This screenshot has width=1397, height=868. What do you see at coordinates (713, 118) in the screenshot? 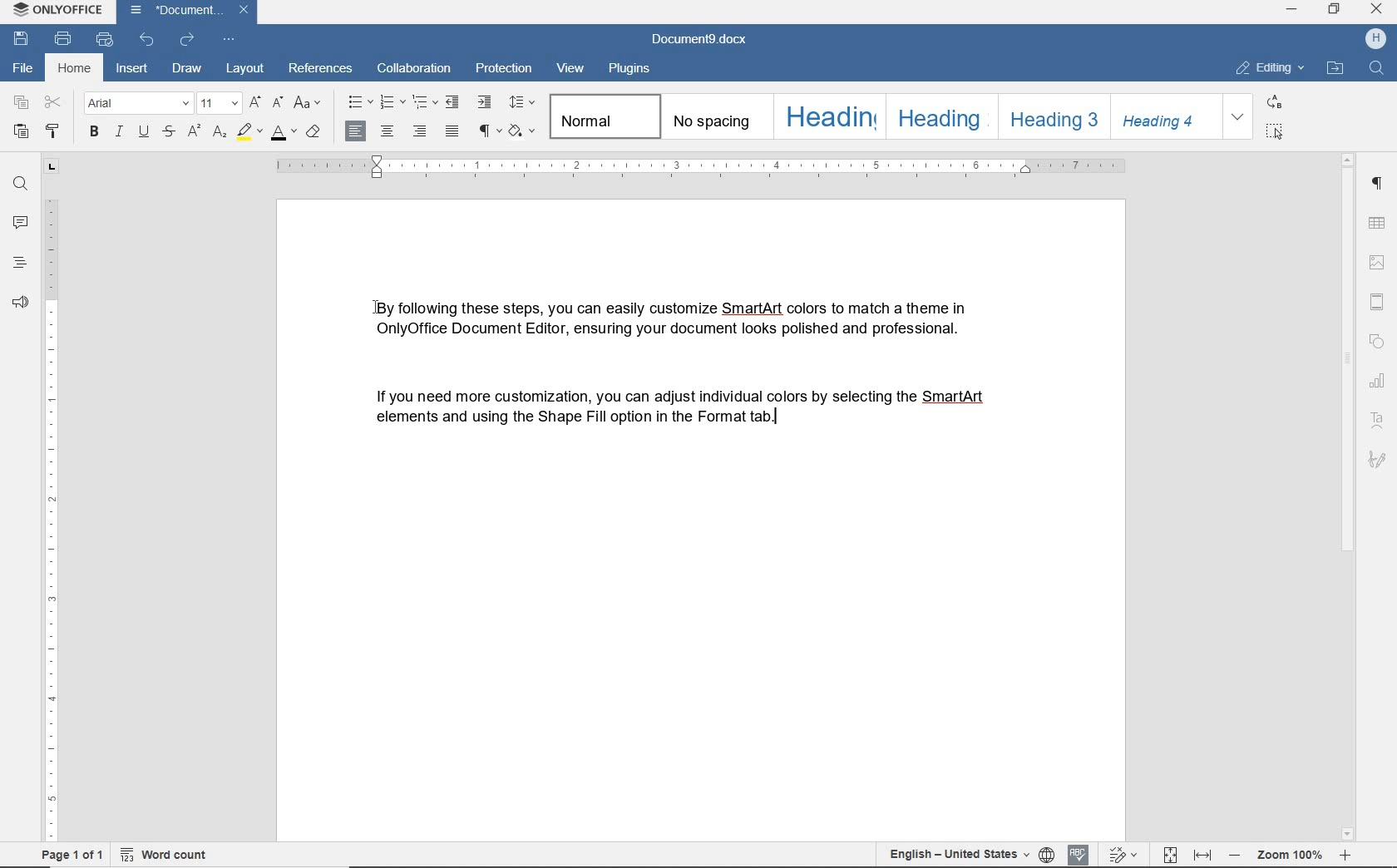
I see `no spacing` at bounding box center [713, 118].